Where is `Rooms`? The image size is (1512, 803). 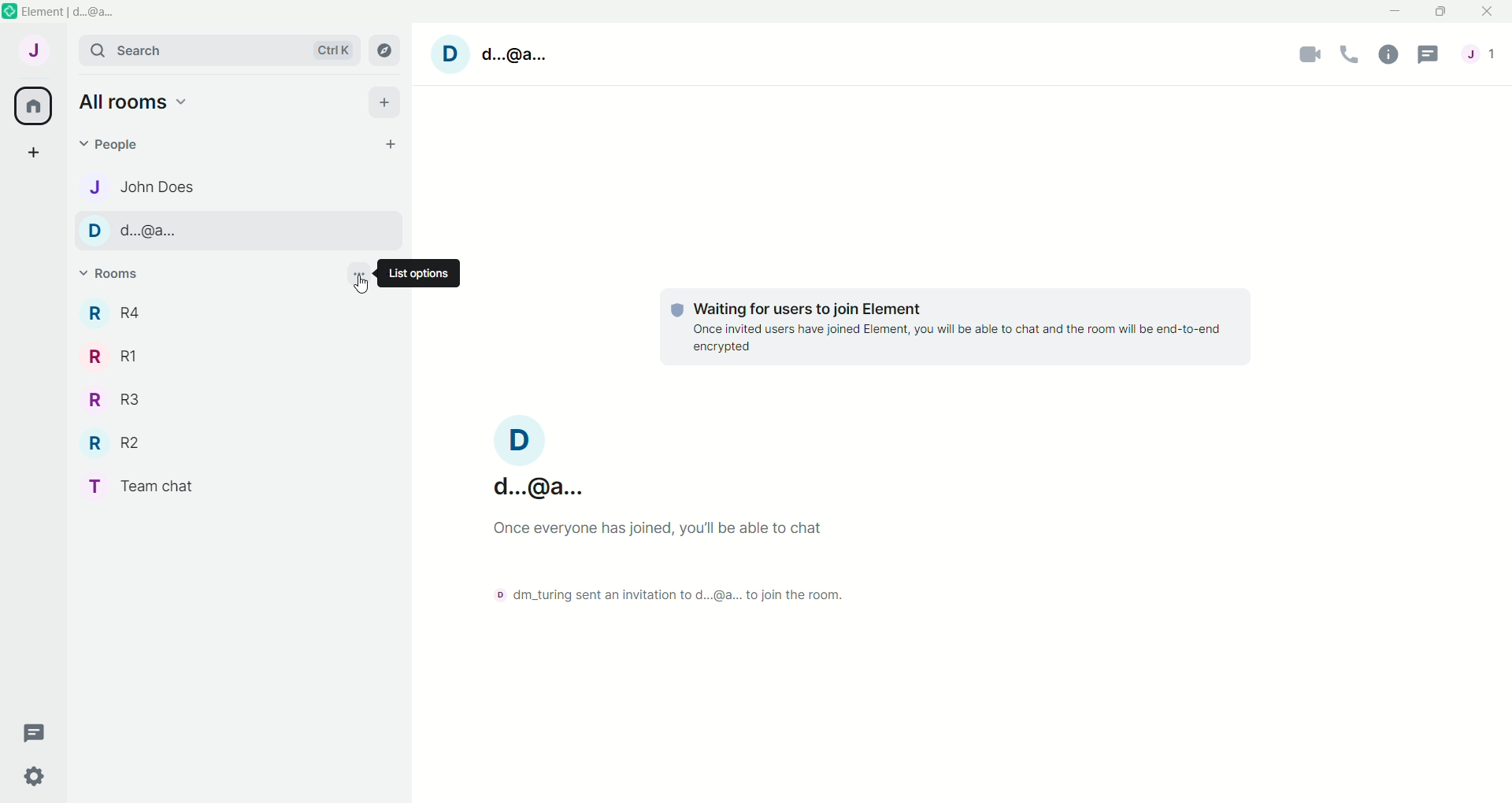
Rooms is located at coordinates (121, 273).